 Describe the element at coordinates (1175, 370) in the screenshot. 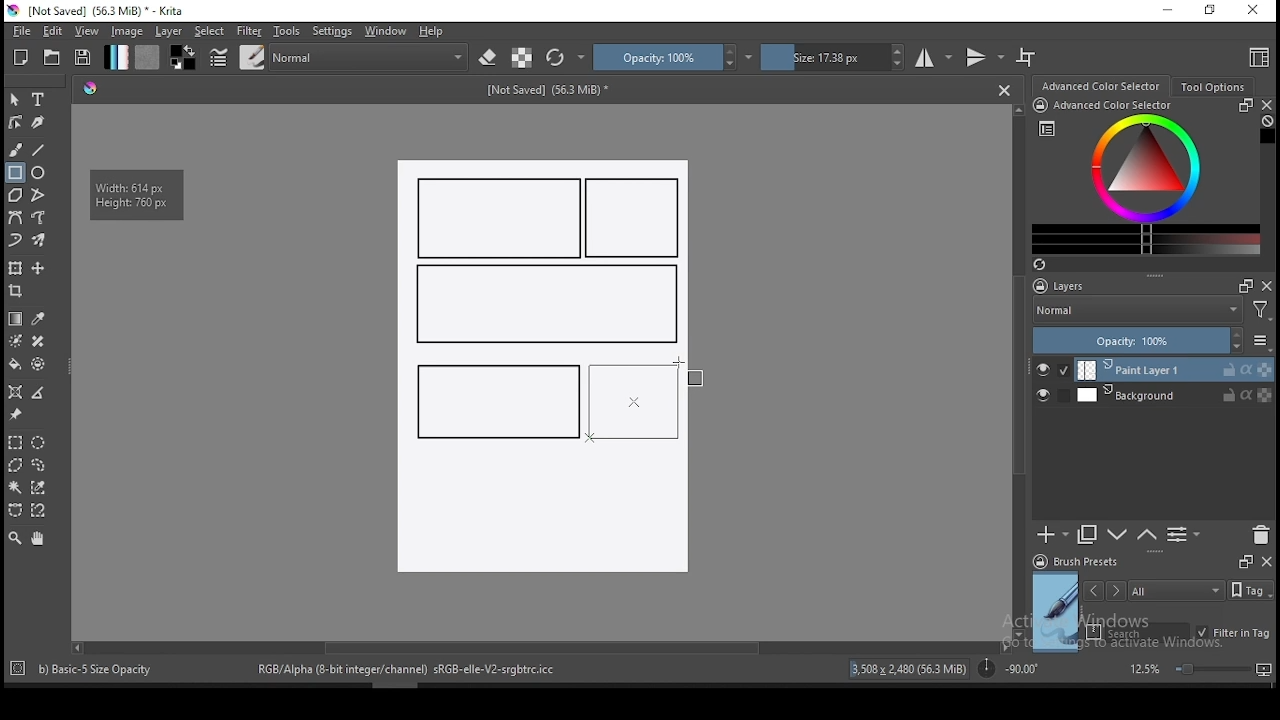

I see `layer` at that location.